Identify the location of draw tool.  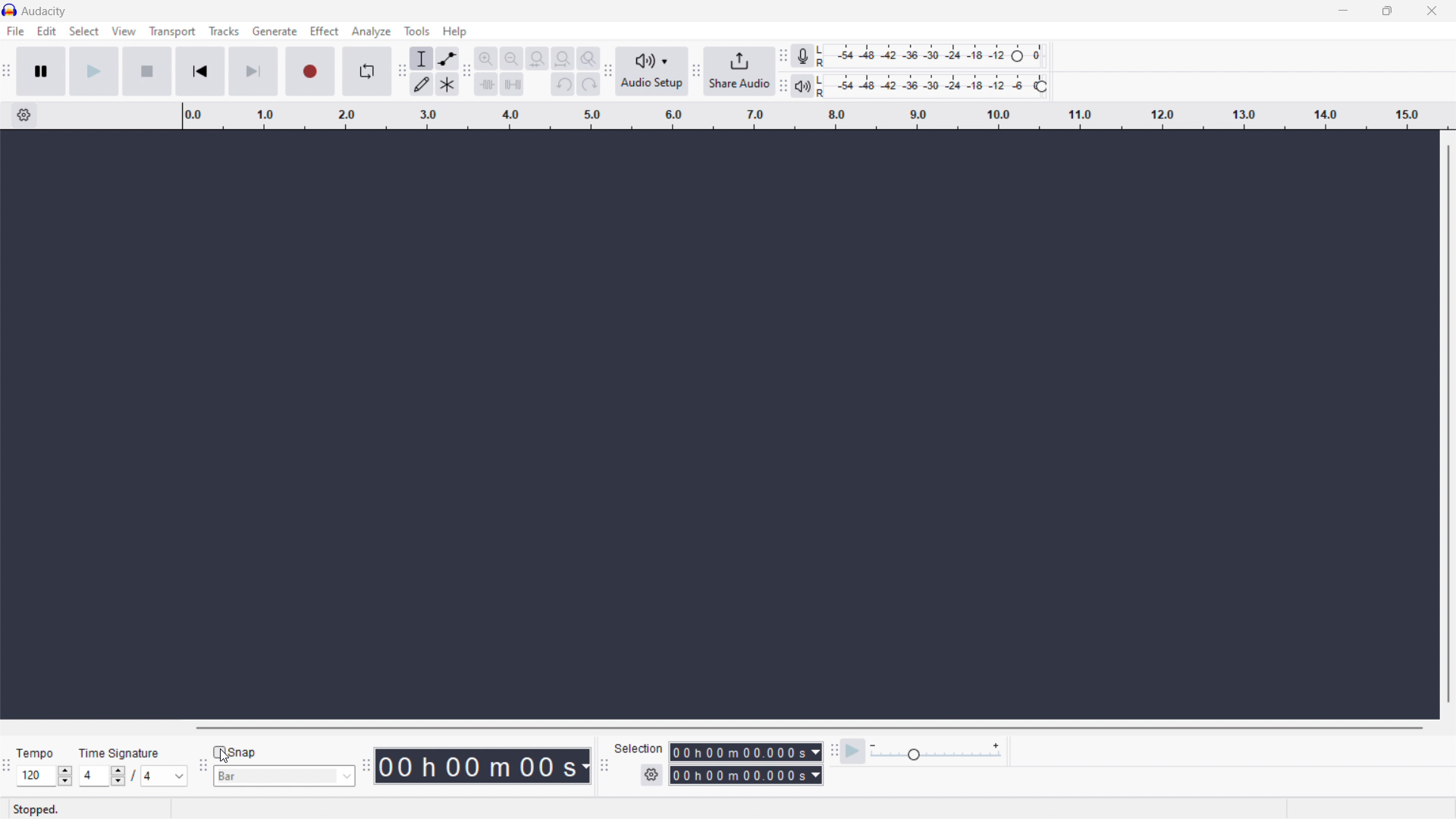
(421, 85).